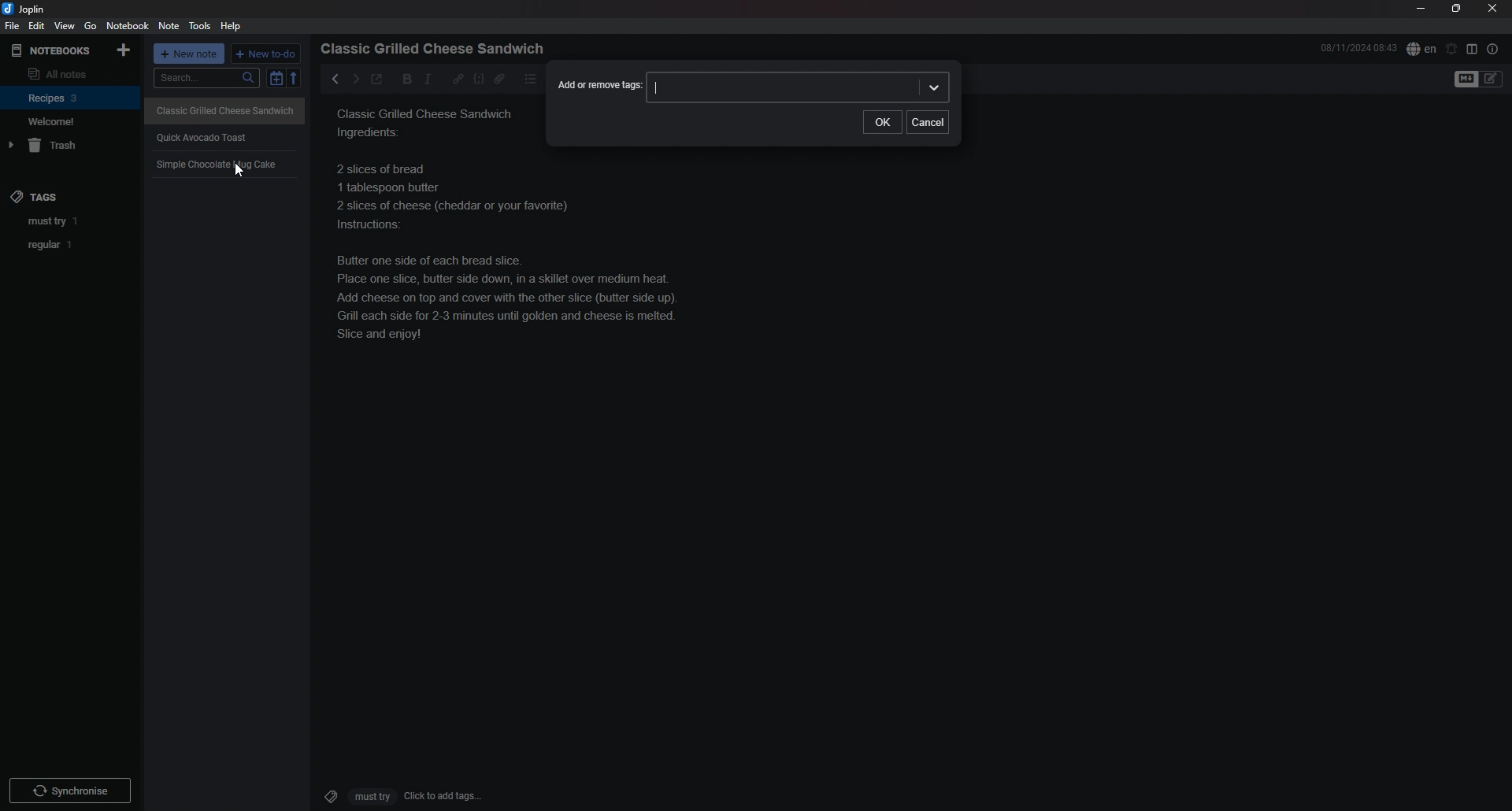  What do you see at coordinates (1480, 80) in the screenshot?
I see `toggle editor` at bounding box center [1480, 80].